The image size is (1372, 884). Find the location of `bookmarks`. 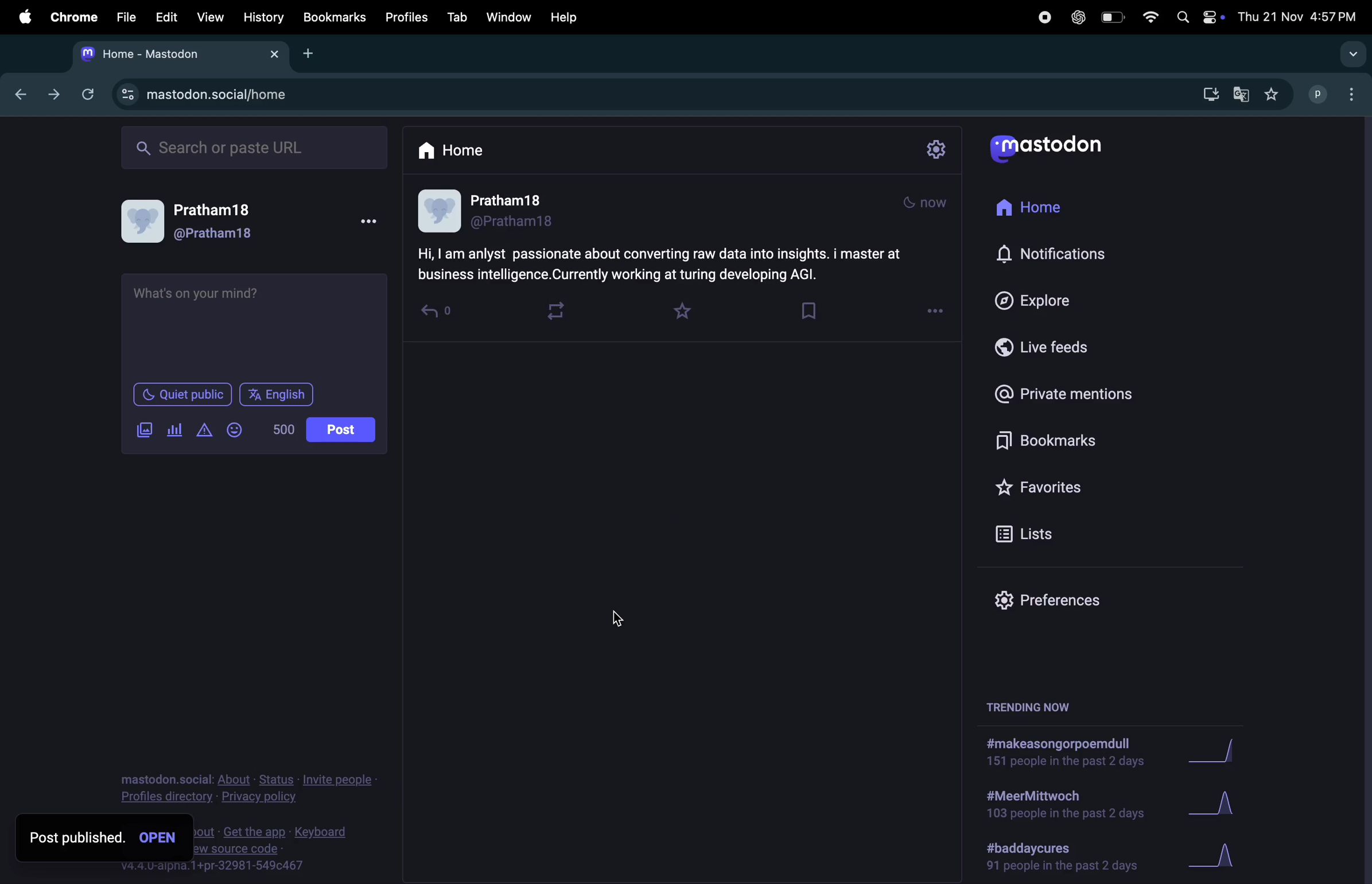

bookmarks is located at coordinates (1051, 444).